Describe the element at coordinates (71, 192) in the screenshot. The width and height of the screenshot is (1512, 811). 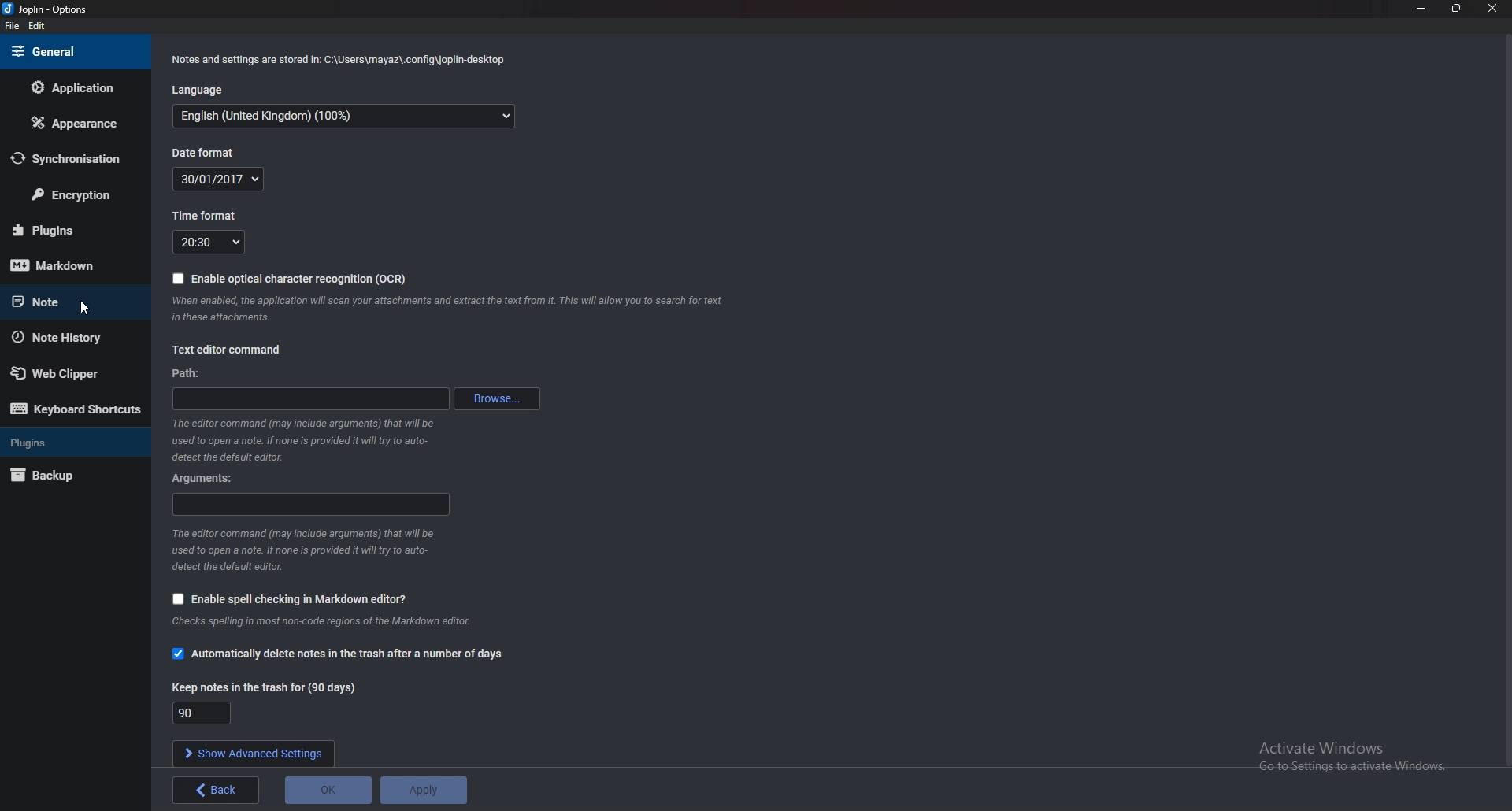
I see `encryption` at that location.